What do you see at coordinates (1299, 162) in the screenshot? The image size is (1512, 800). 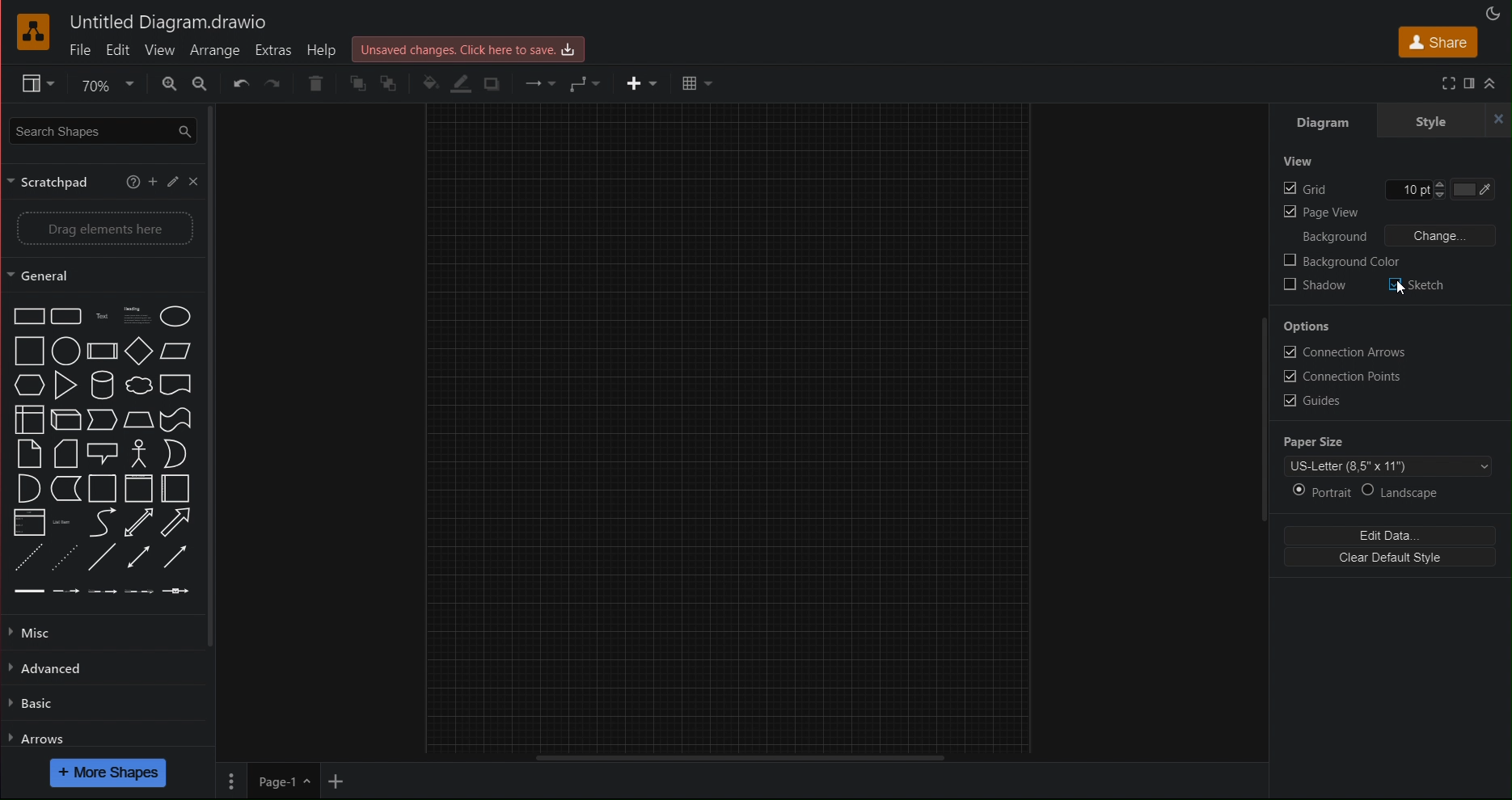 I see `View` at bounding box center [1299, 162].